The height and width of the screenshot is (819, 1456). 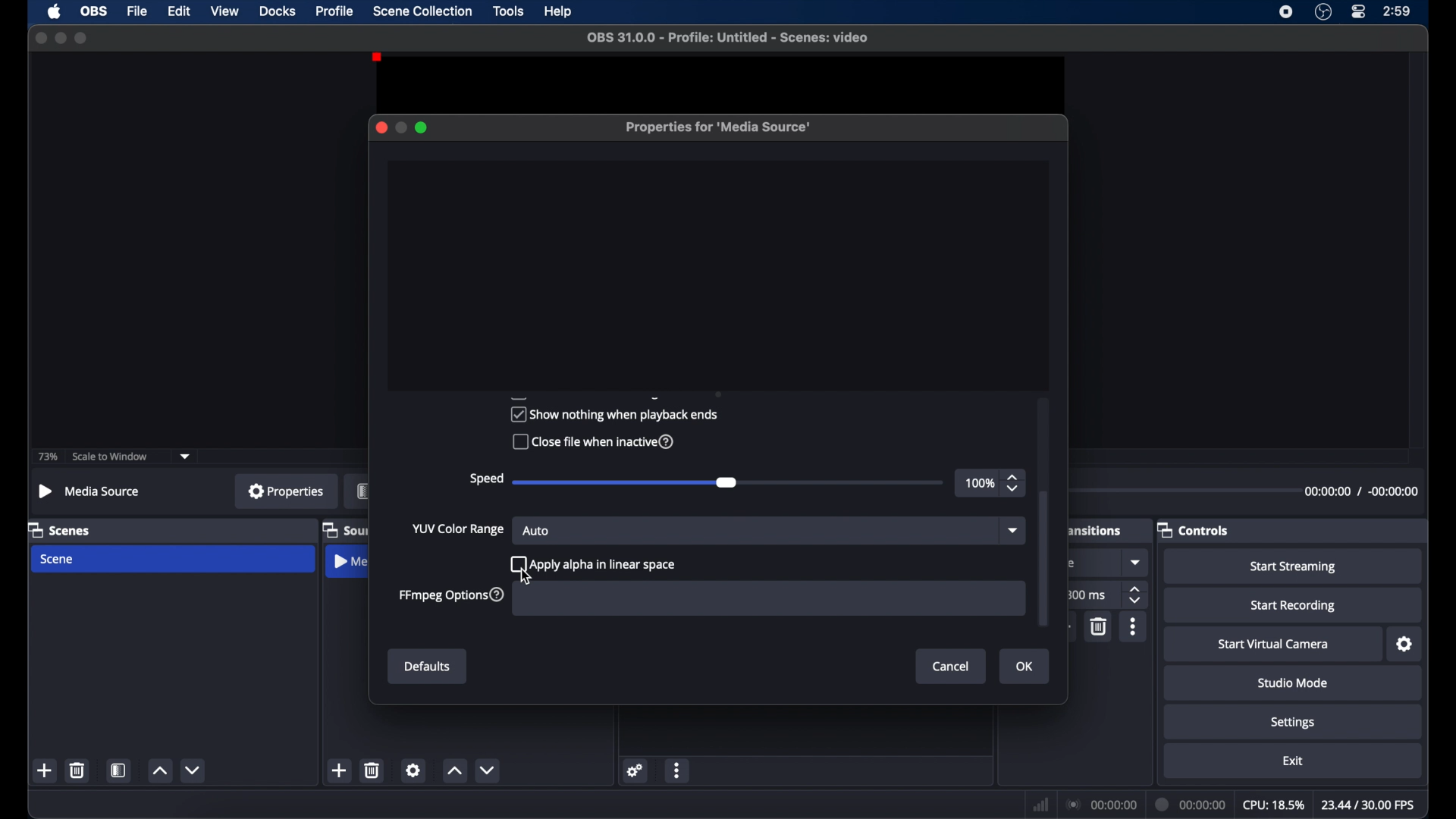 I want to click on apple icon, so click(x=55, y=11).